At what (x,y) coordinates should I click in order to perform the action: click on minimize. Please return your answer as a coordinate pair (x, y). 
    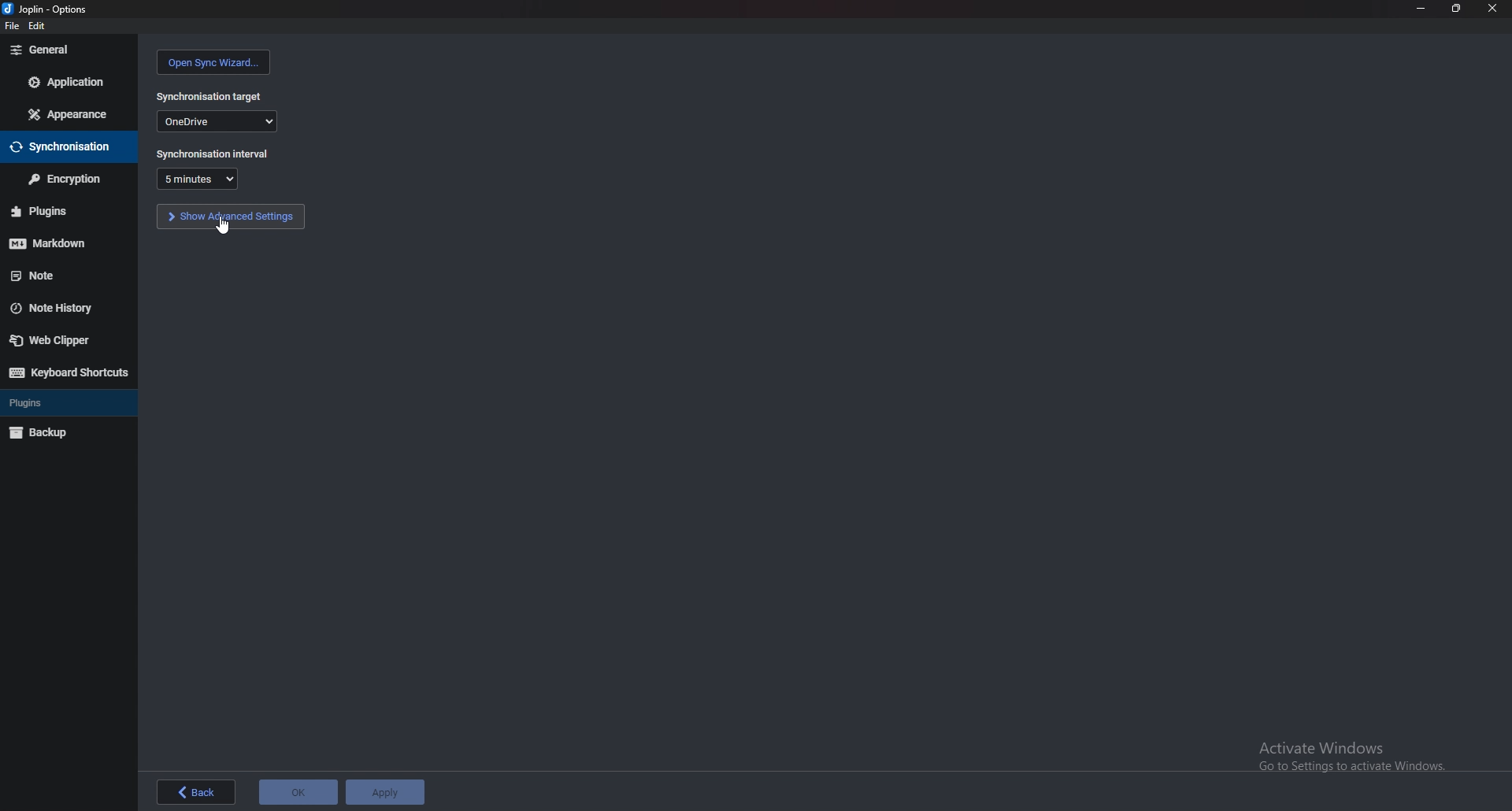
    Looking at the image, I should click on (1420, 9).